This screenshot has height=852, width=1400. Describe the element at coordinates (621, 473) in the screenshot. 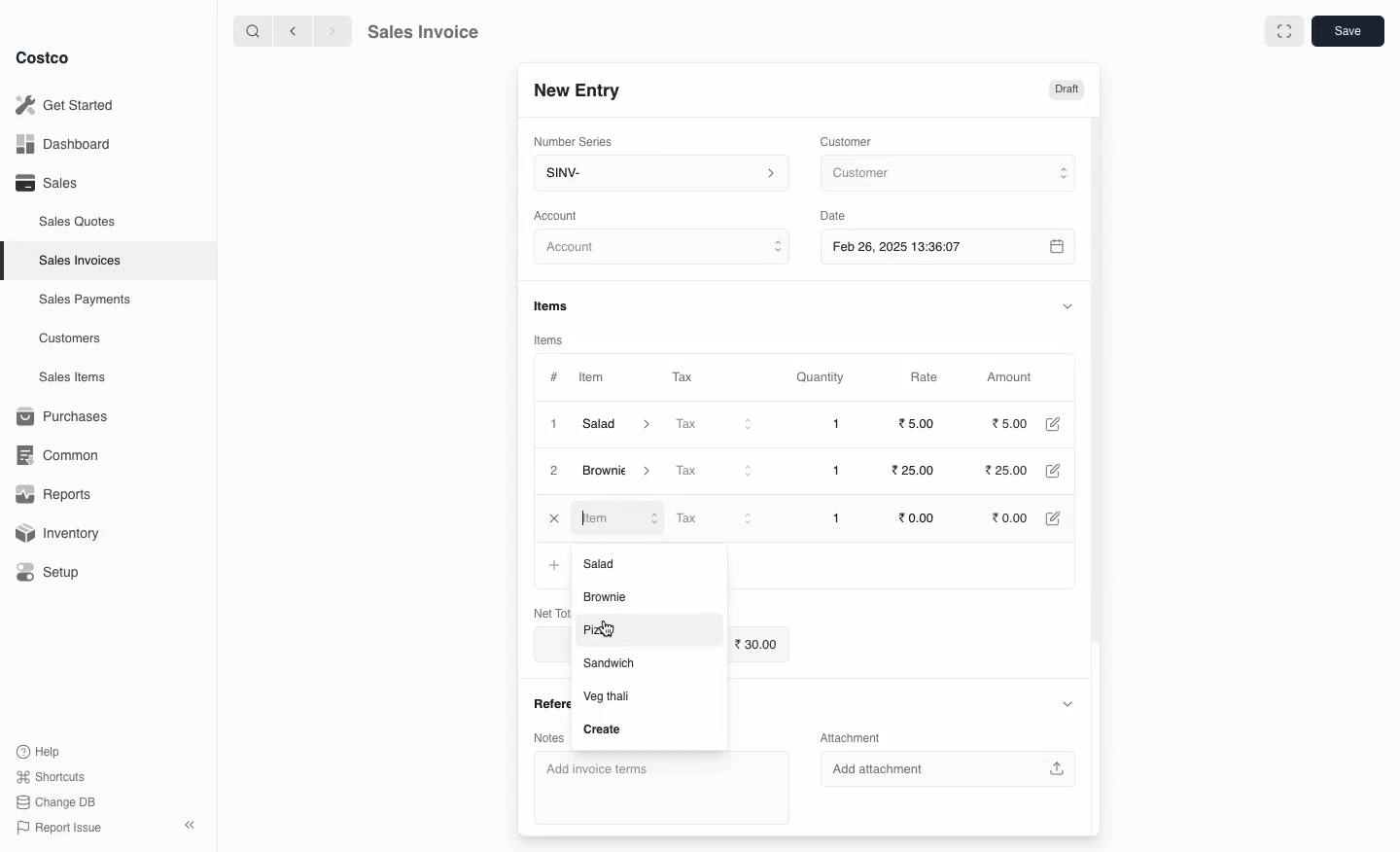

I see `Brownie` at that location.